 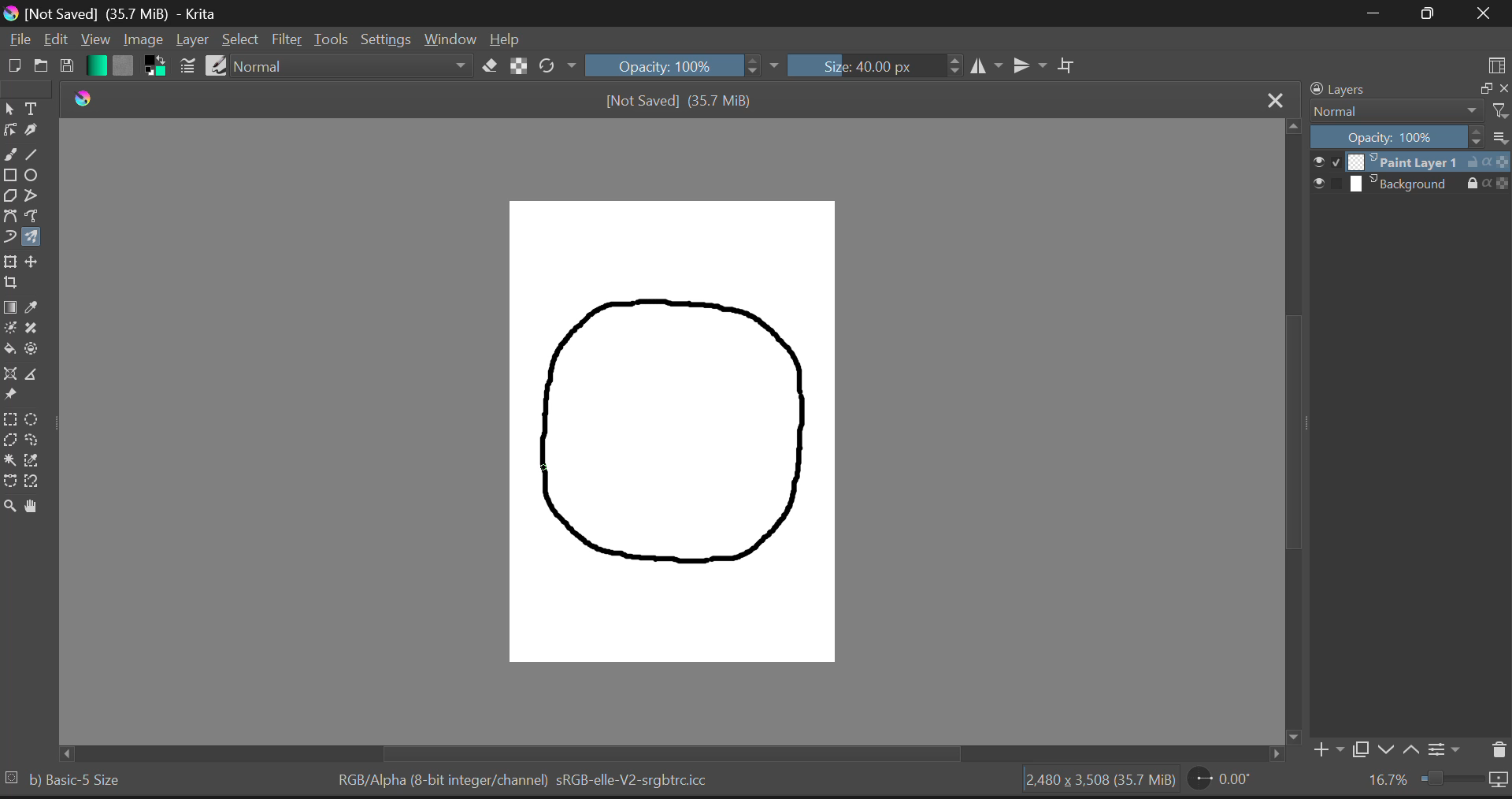 I want to click on 2.480 x 3,508 (35.7 MiB), so click(x=1095, y=780).